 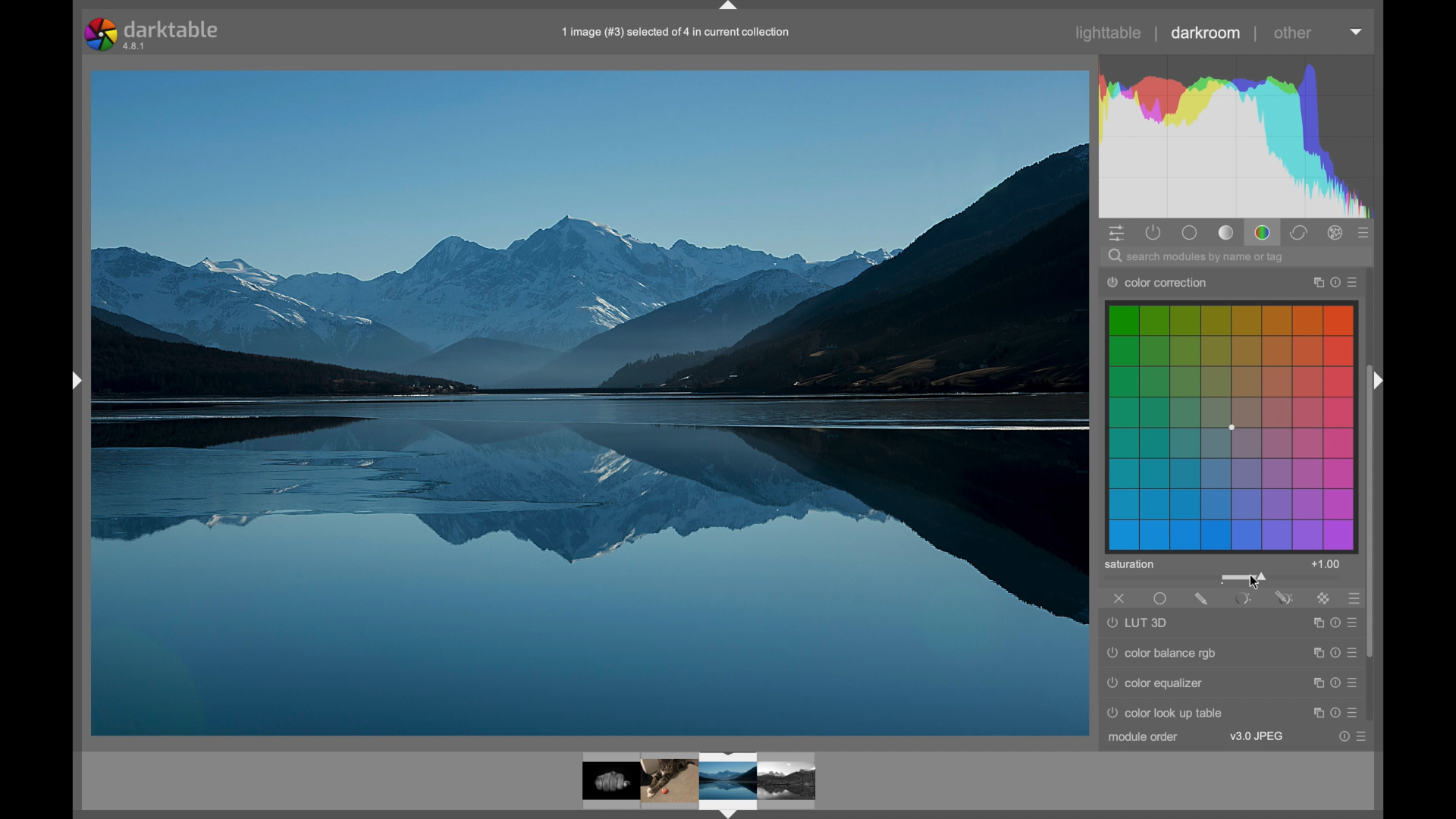 I want to click on show all options, so click(x=1365, y=233).